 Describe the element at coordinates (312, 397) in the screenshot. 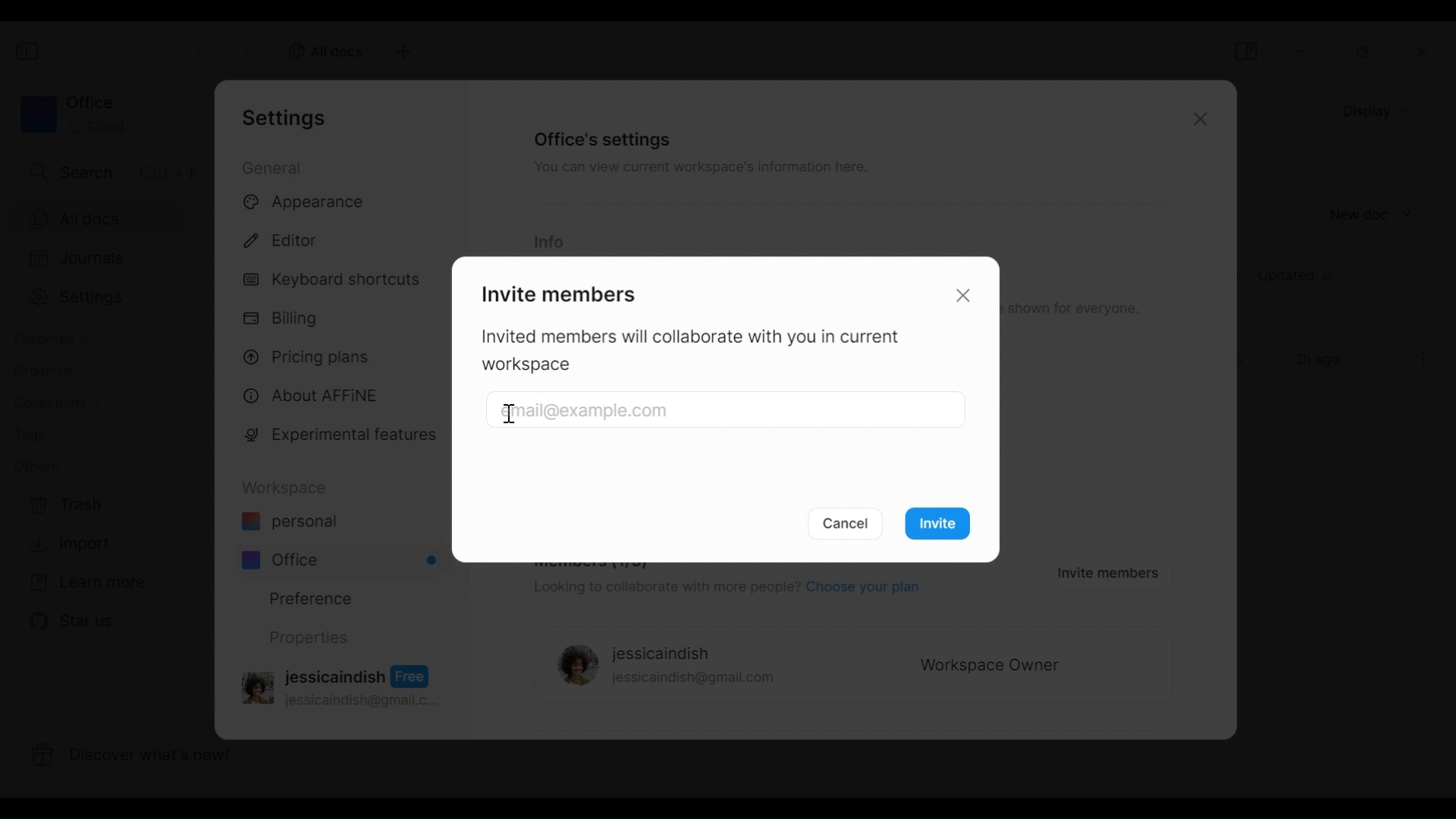

I see `about AFFiNE` at that location.